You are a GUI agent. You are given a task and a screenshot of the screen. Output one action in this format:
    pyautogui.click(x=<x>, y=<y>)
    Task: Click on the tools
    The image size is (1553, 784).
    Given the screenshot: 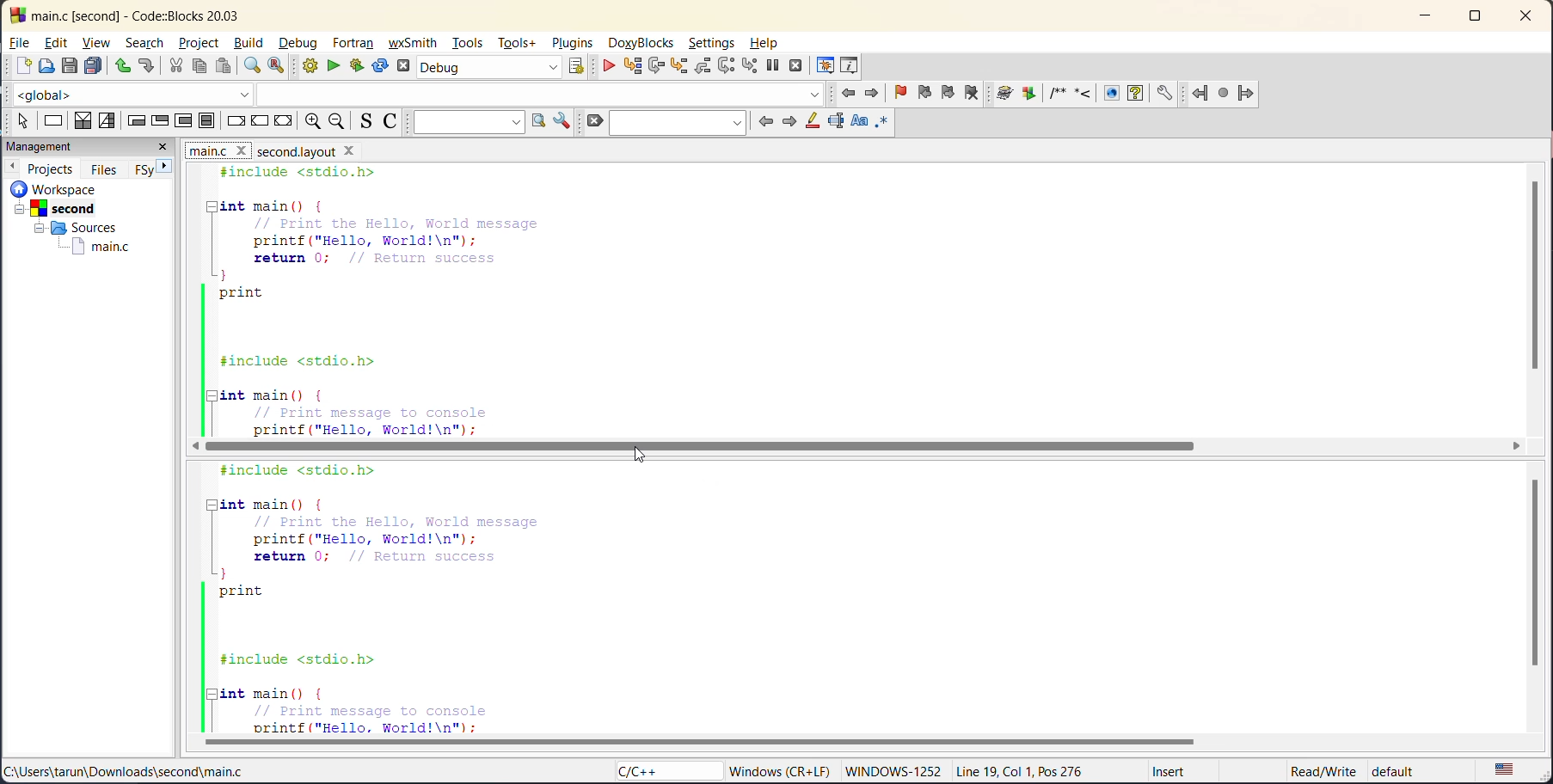 What is the action you would take?
    pyautogui.click(x=468, y=43)
    